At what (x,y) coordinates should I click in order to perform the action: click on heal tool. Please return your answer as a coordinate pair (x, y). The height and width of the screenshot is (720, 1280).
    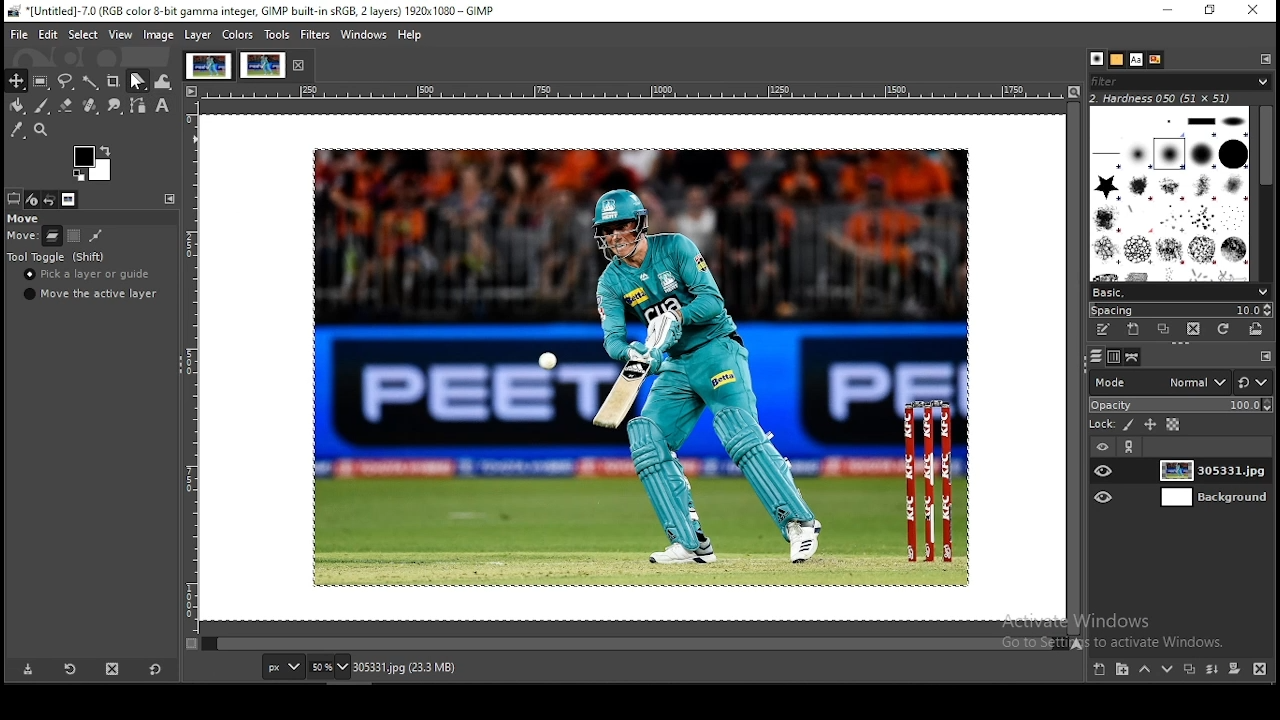
    Looking at the image, I should click on (91, 106).